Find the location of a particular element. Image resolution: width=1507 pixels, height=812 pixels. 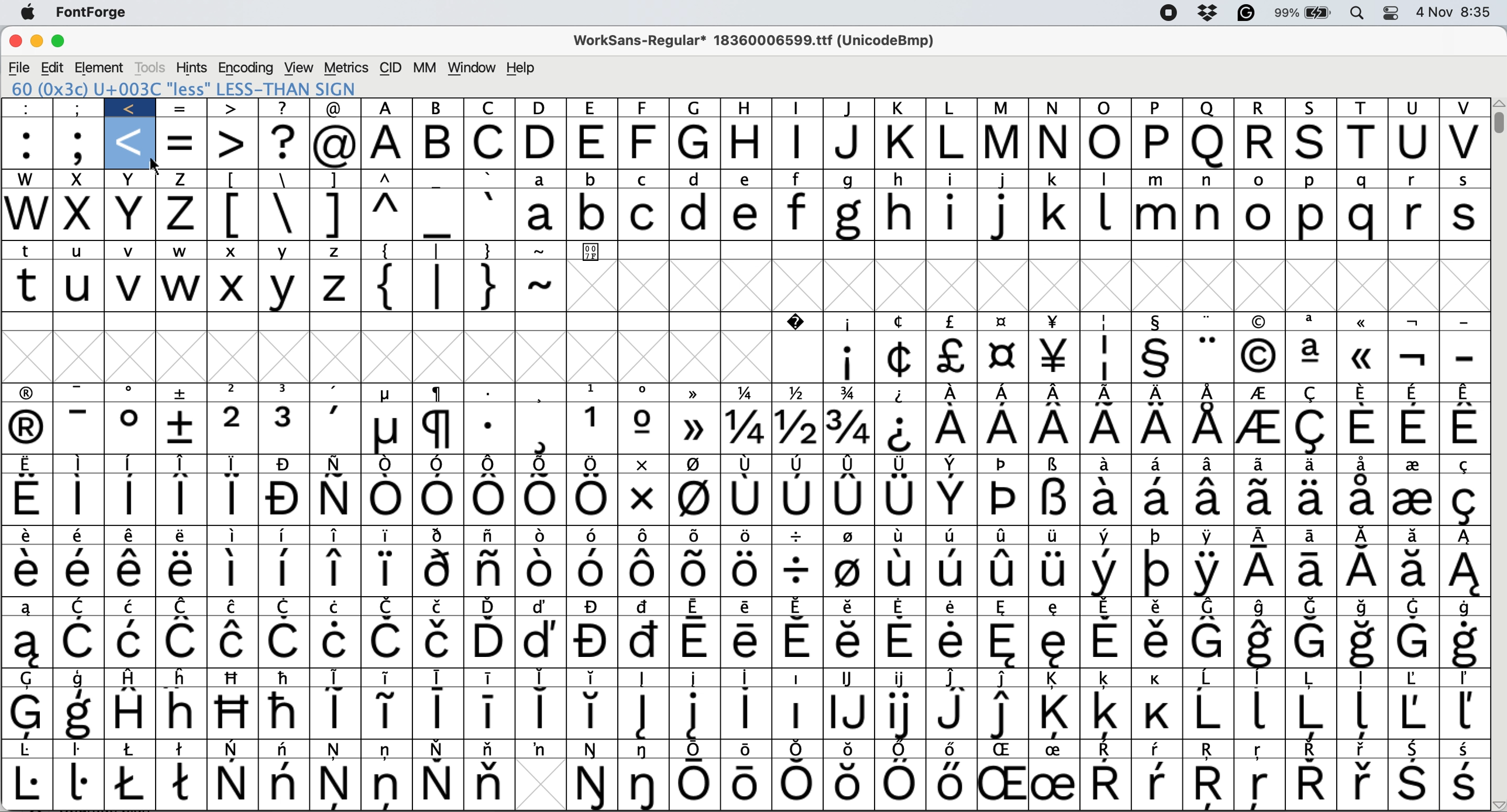

Symbol is located at coordinates (849, 677).